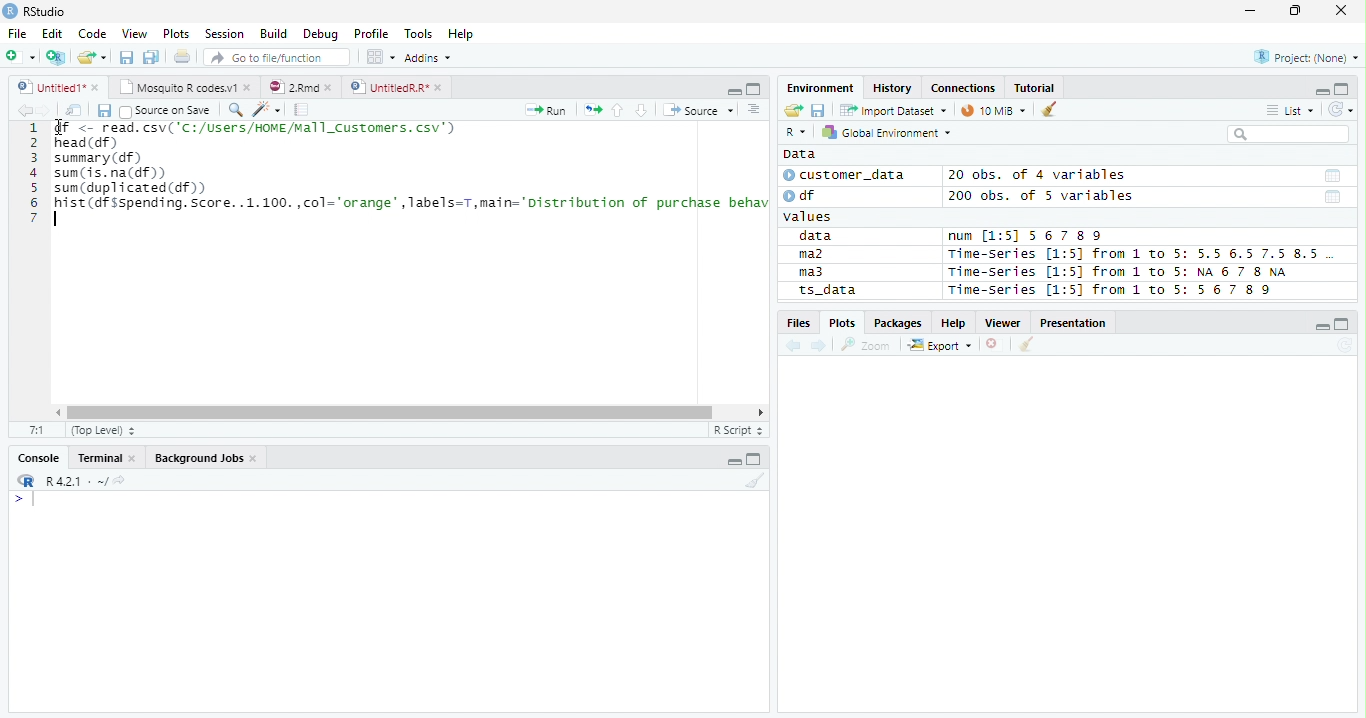 The image size is (1366, 718). Describe the element at coordinates (22, 110) in the screenshot. I see `Previous` at that location.